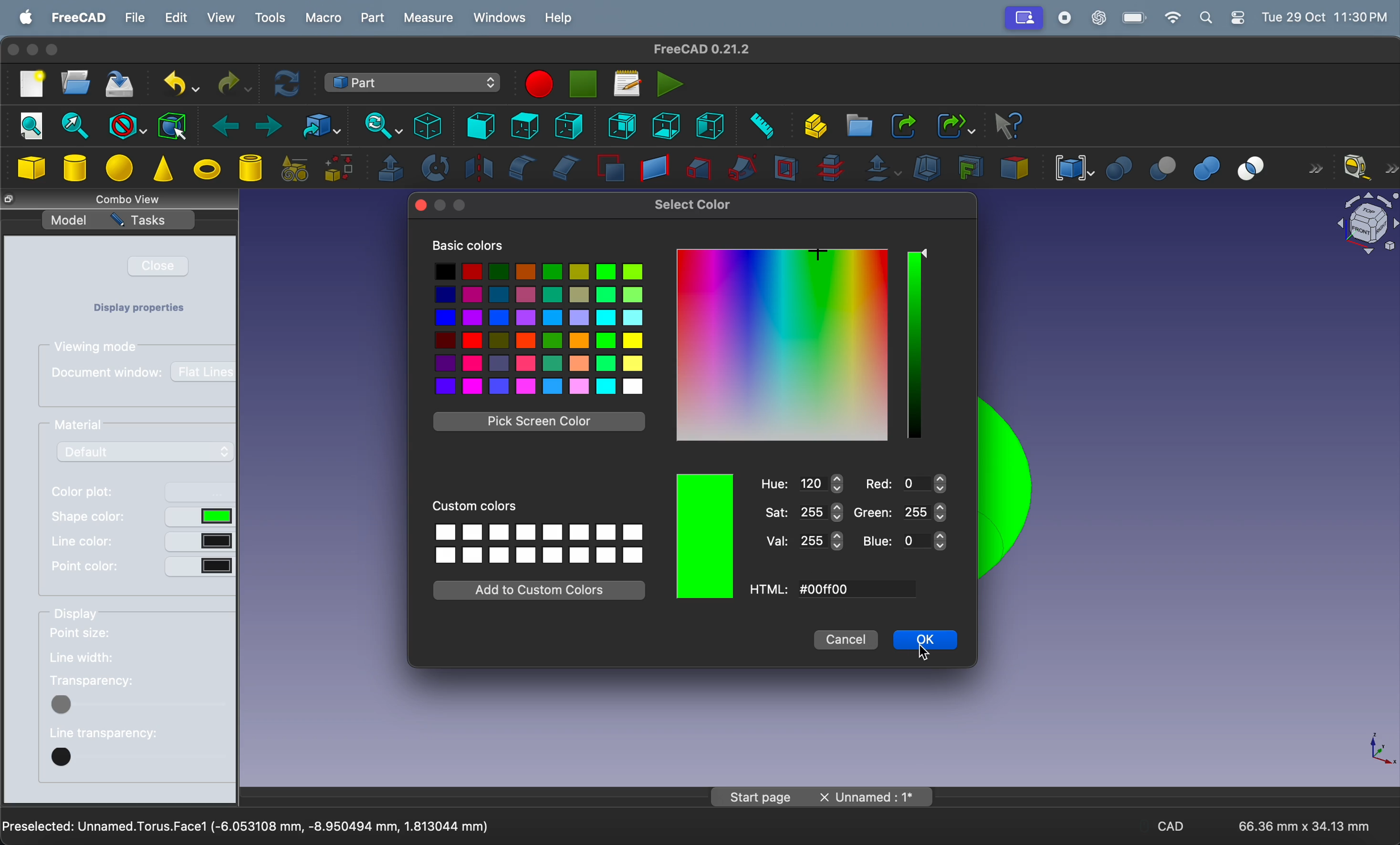 This screenshot has width=1400, height=845. I want to click on button, so click(140, 704).